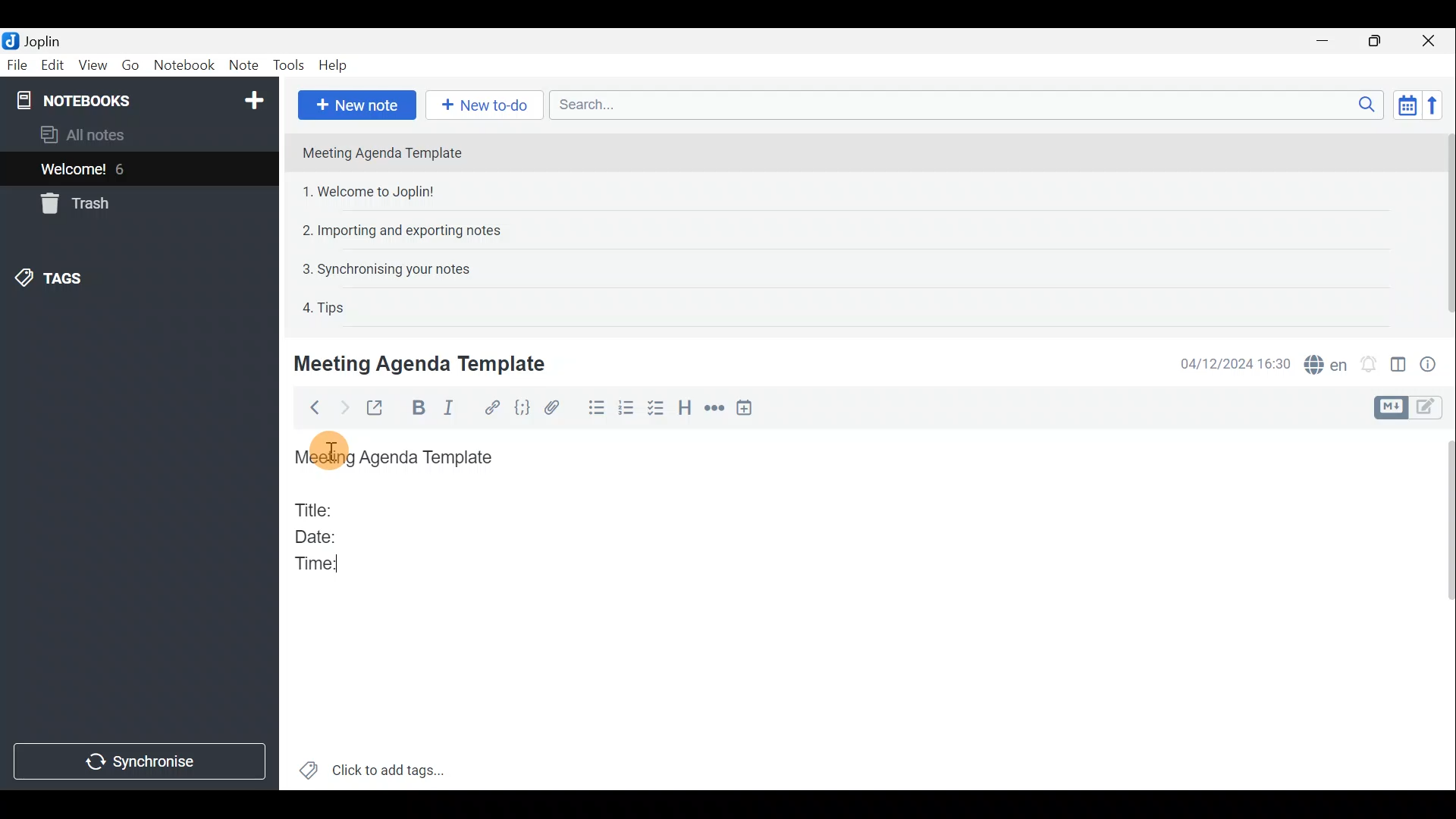 The height and width of the screenshot is (819, 1456). Describe the element at coordinates (1429, 42) in the screenshot. I see `Close` at that location.